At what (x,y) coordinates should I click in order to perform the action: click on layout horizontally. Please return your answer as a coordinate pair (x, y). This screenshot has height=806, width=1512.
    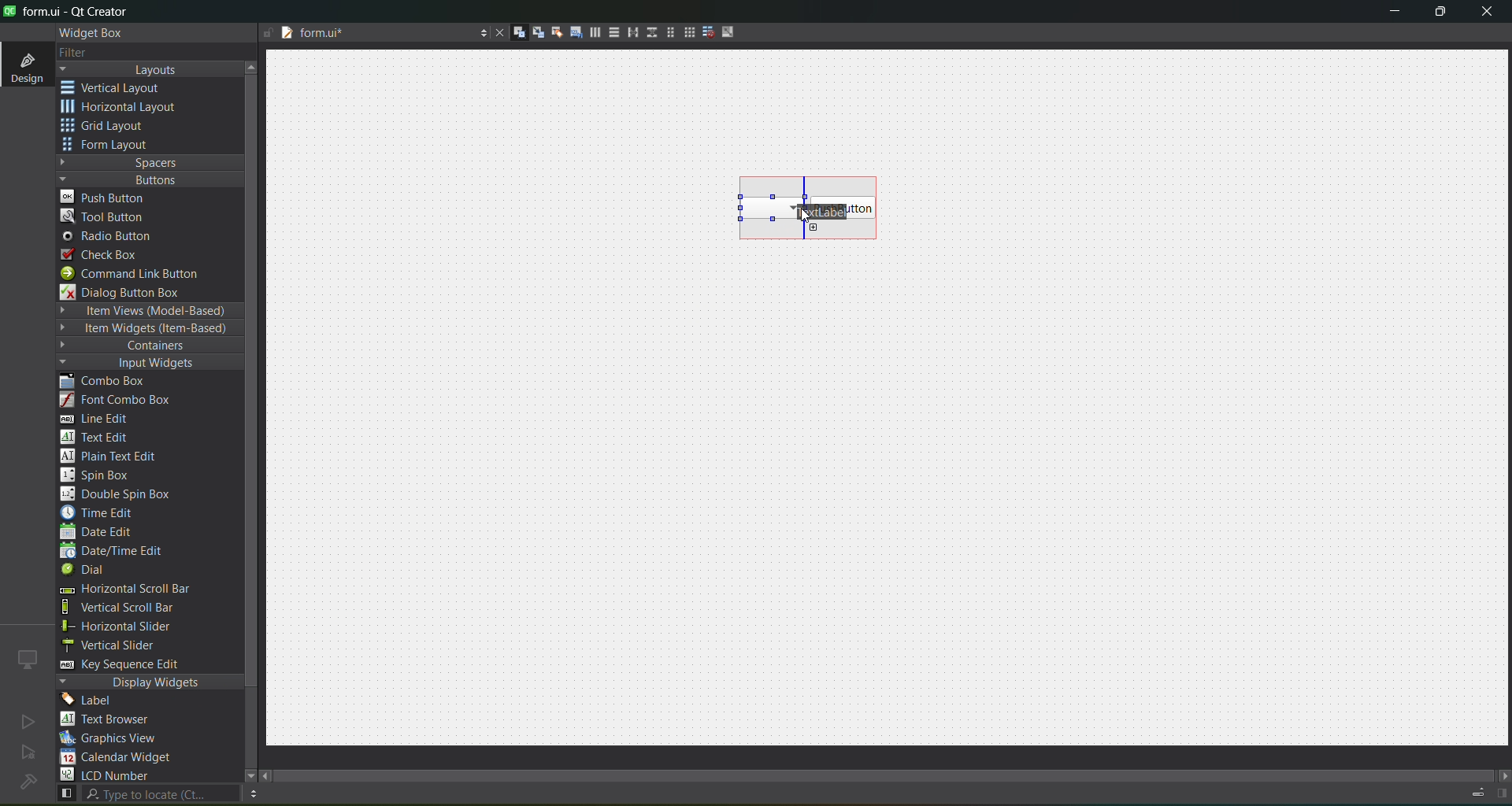
    Looking at the image, I should click on (590, 35).